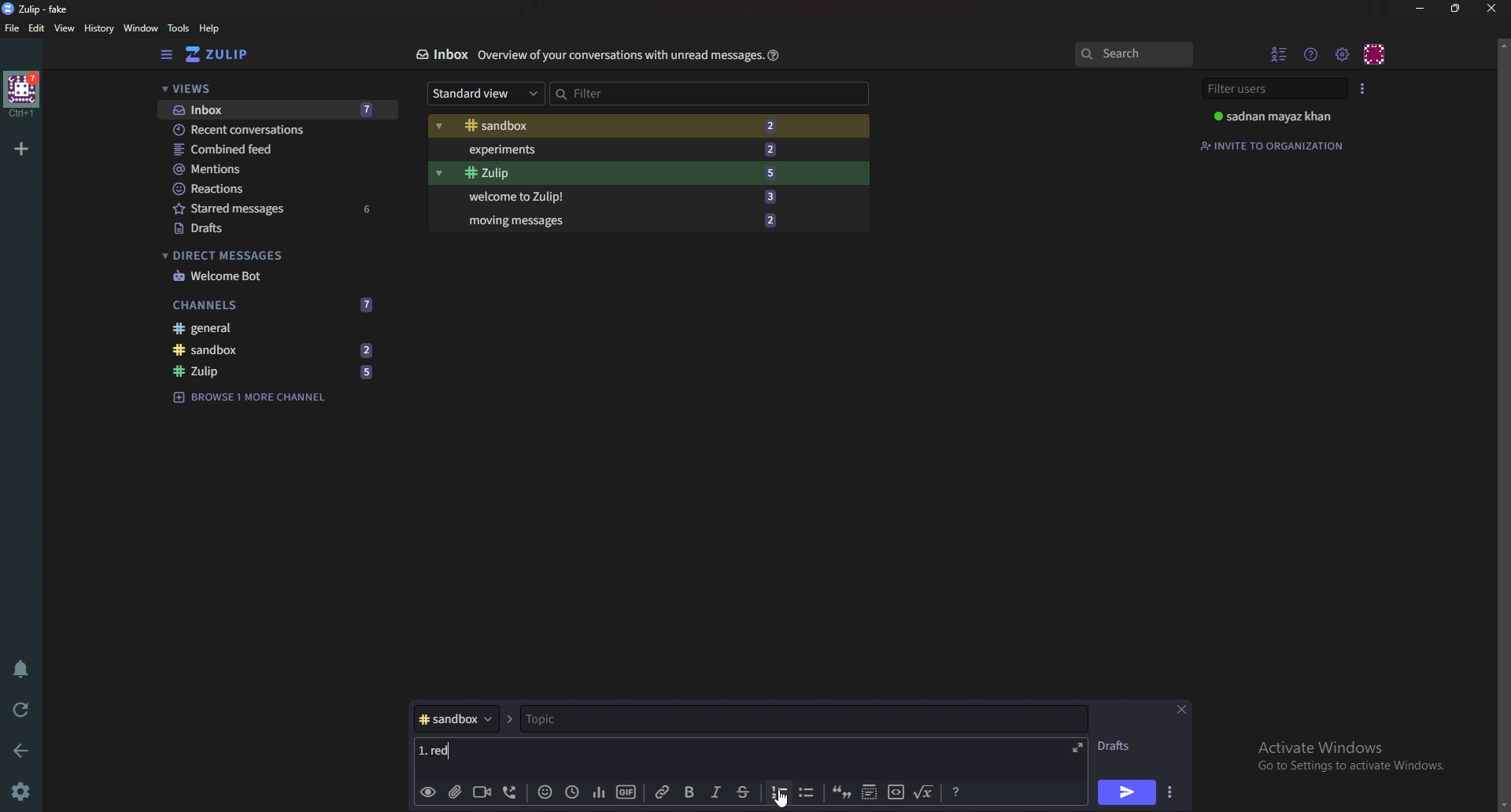 This screenshot has width=1511, height=812. I want to click on Tools, so click(178, 28).